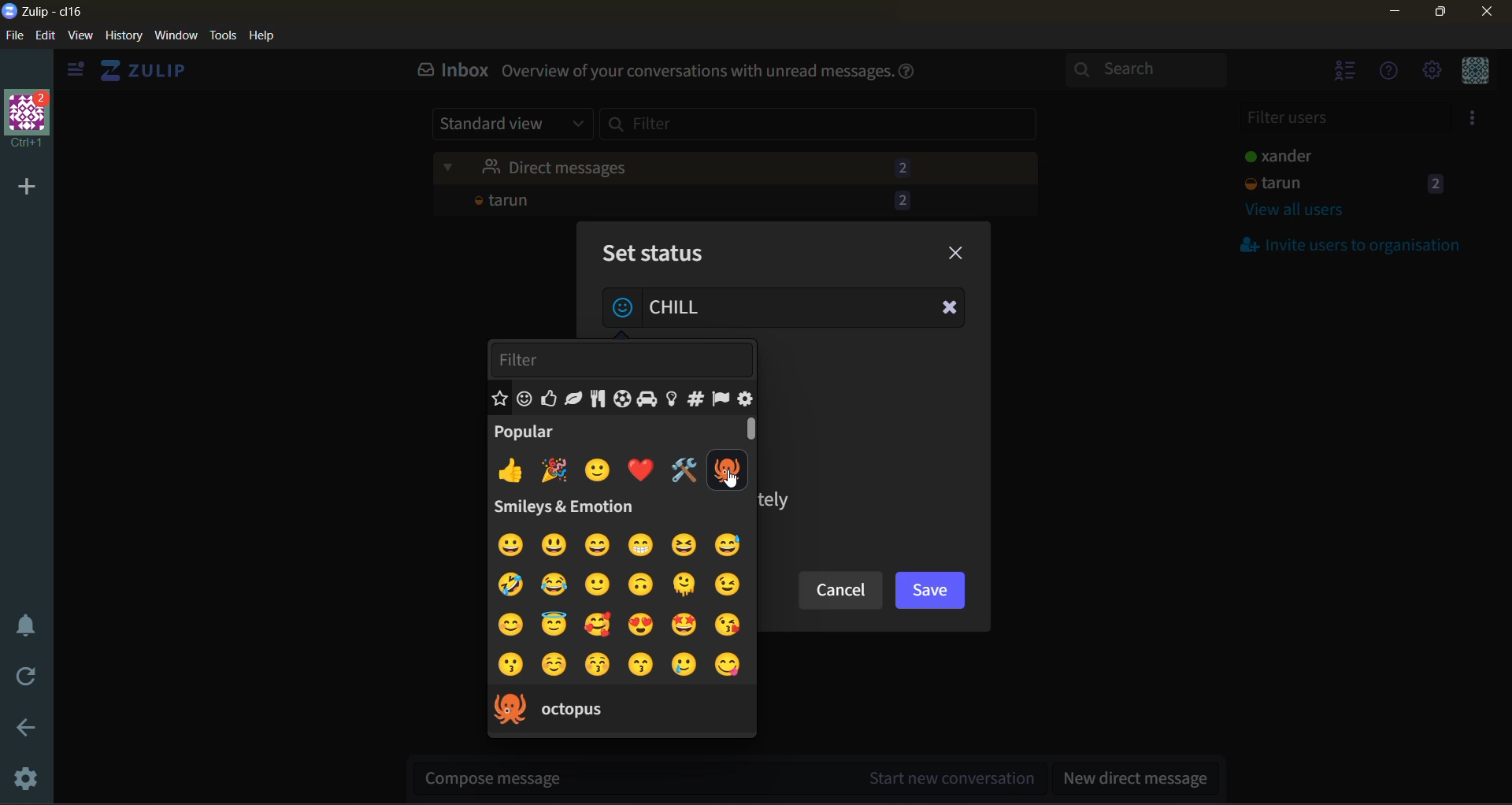 This screenshot has height=805, width=1512. What do you see at coordinates (1152, 71) in the screenshot?
I see `search` at bounding box center [1152, 71].